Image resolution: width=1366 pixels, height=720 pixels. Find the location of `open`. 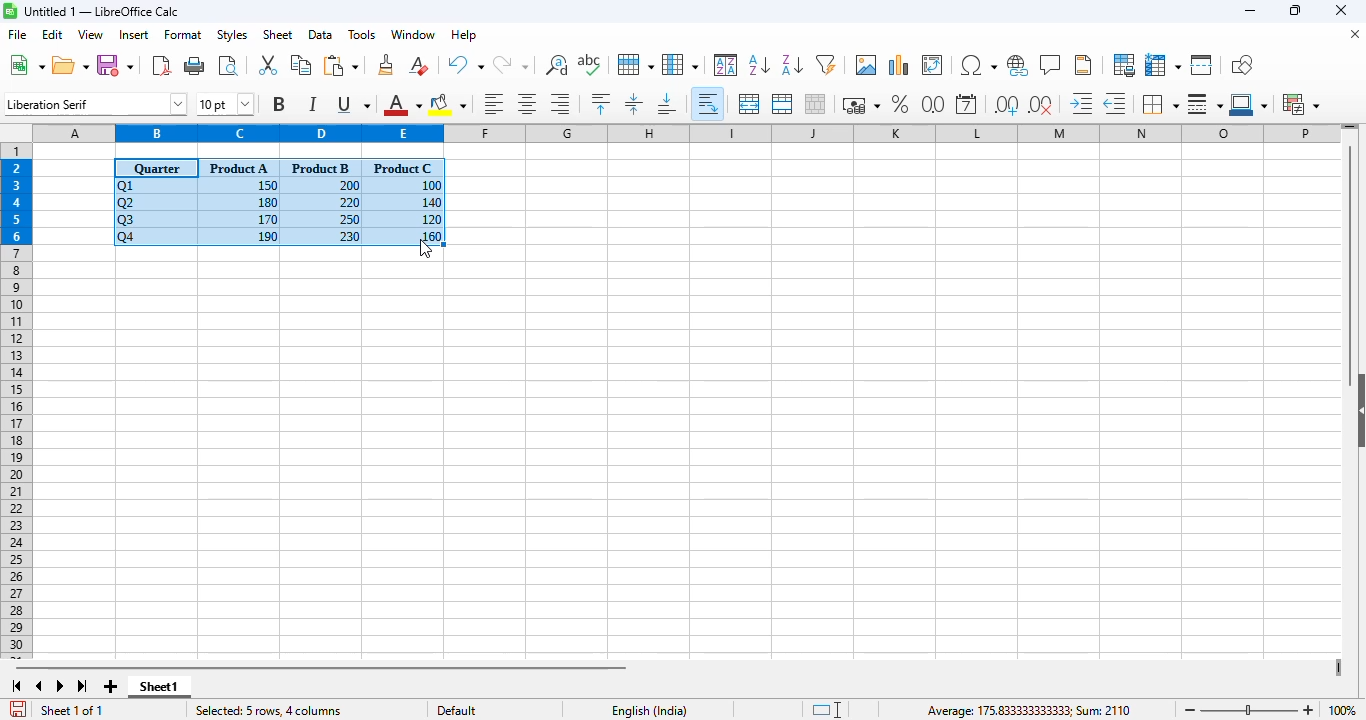

open is located at coordinates (70, 65).